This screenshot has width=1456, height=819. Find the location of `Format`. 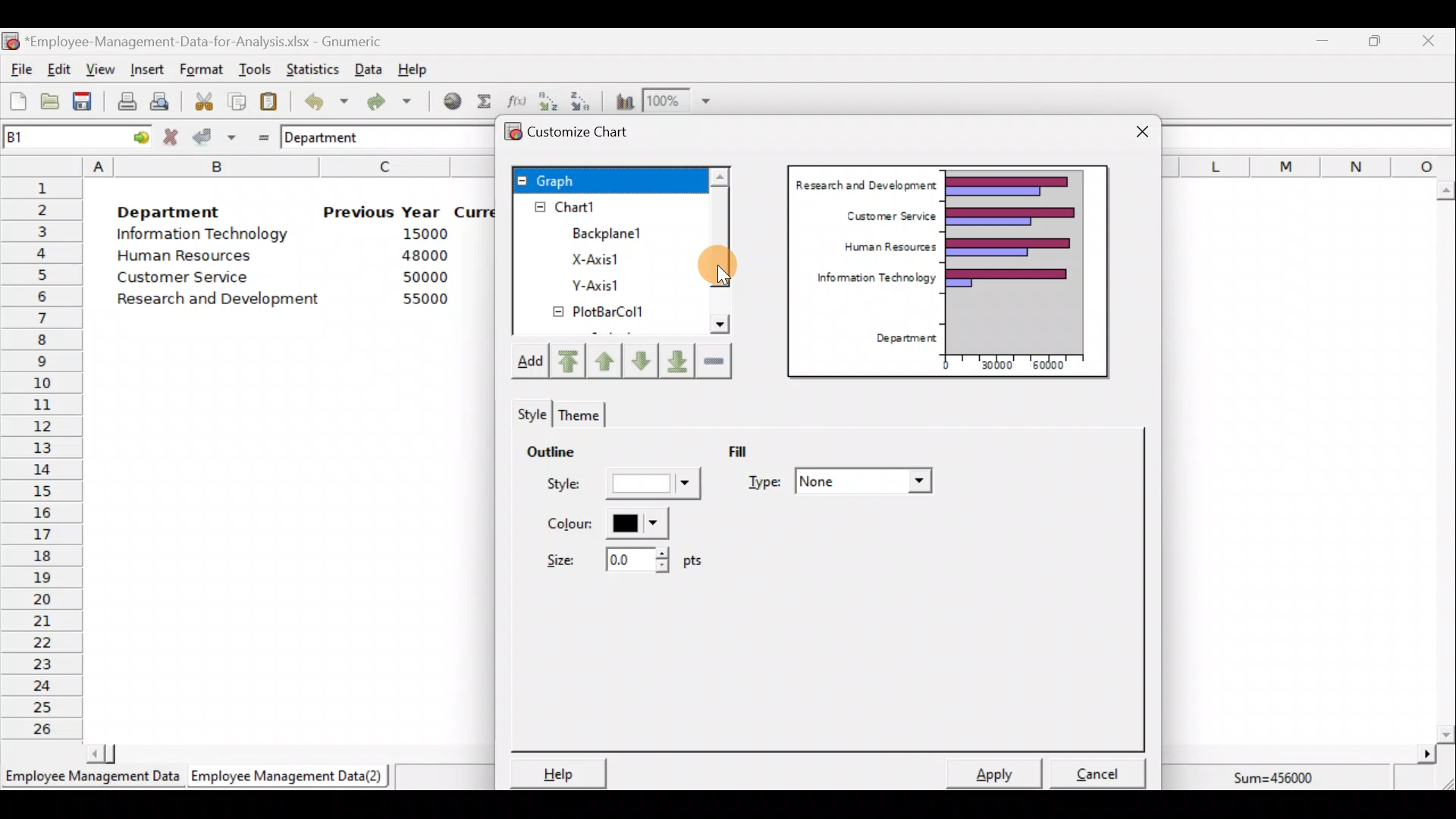

Format is located at coordinates (201, 71).